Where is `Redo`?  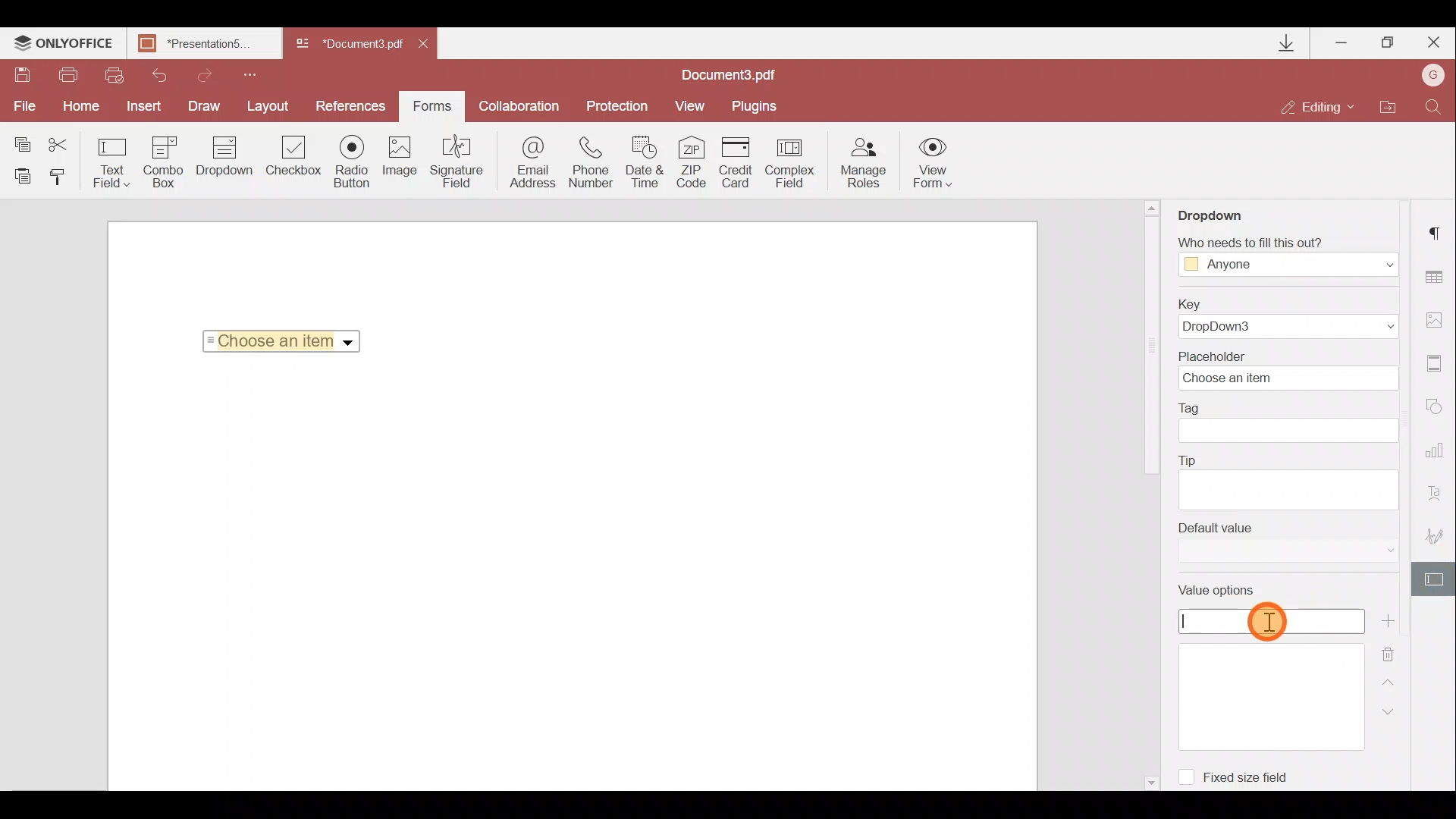 Redo is located at coordinates (206, 74).